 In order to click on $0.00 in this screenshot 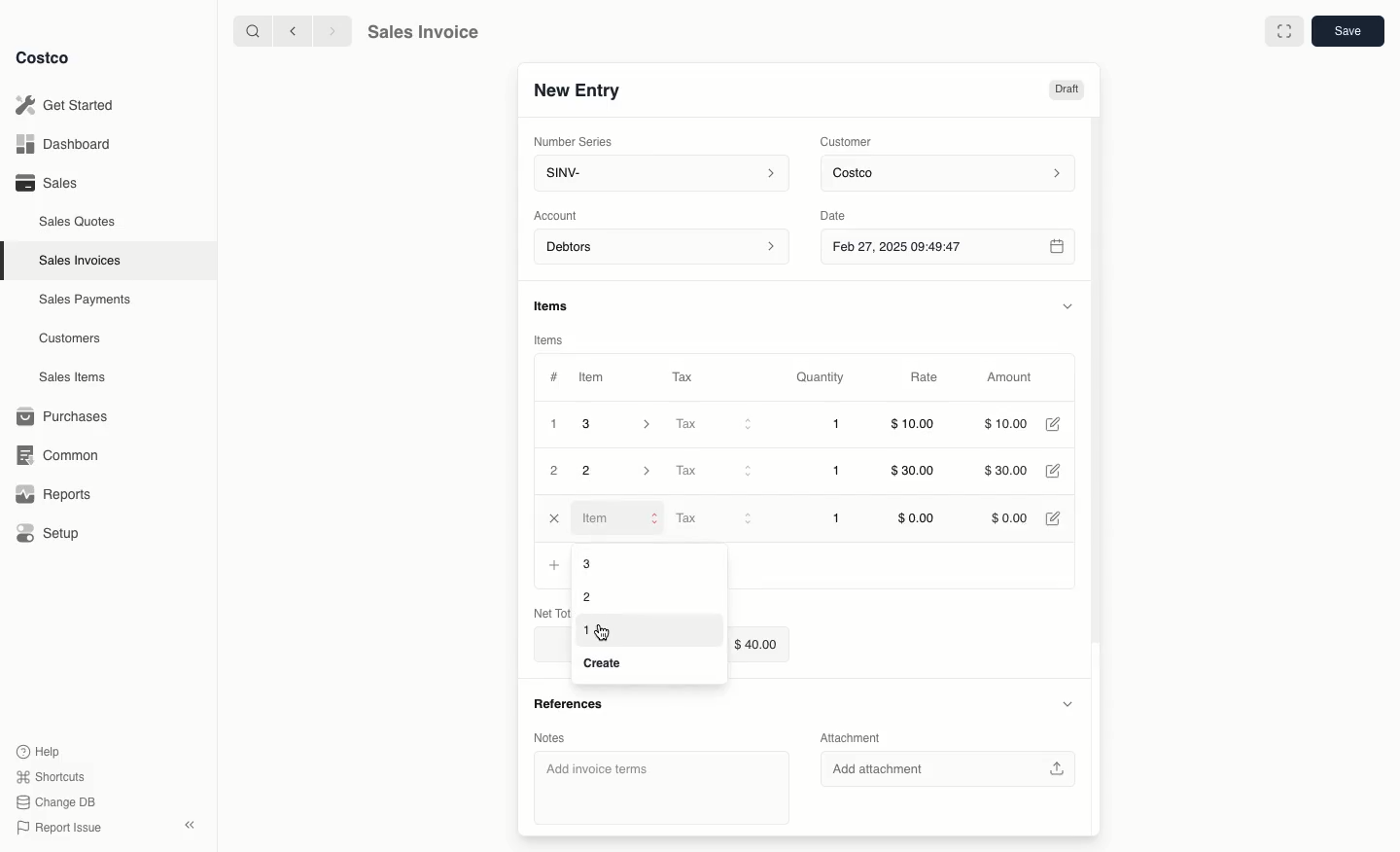, I will do `click(1009, 516)`.